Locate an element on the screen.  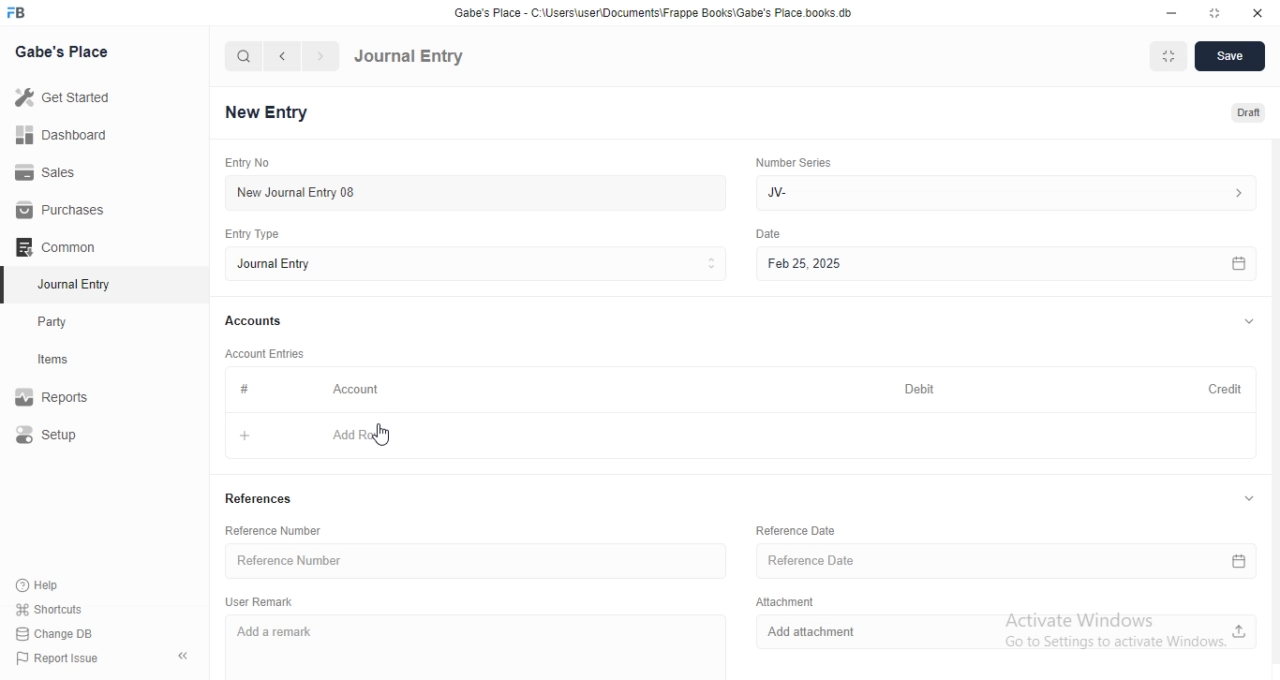
Help is located at coordinates (63, 584).